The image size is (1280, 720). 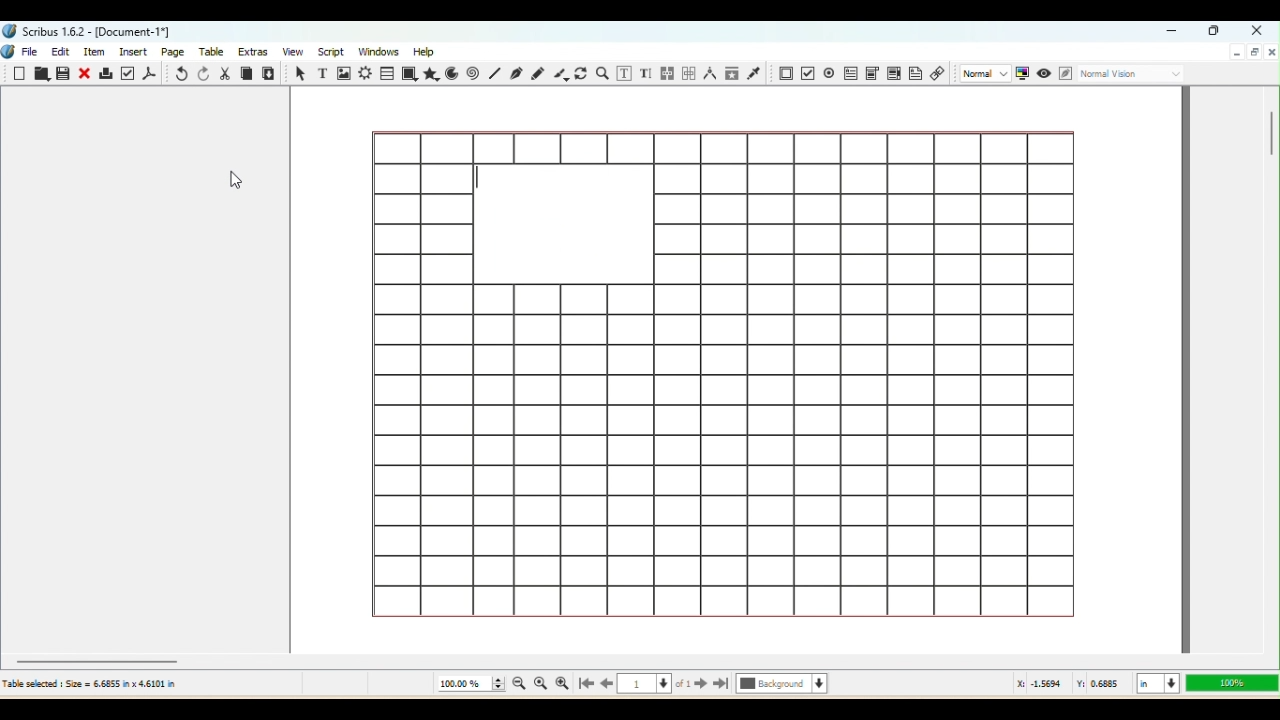 I want to click on Scribus 1.6.2- [Document-1"], so click(x=90, y=31).